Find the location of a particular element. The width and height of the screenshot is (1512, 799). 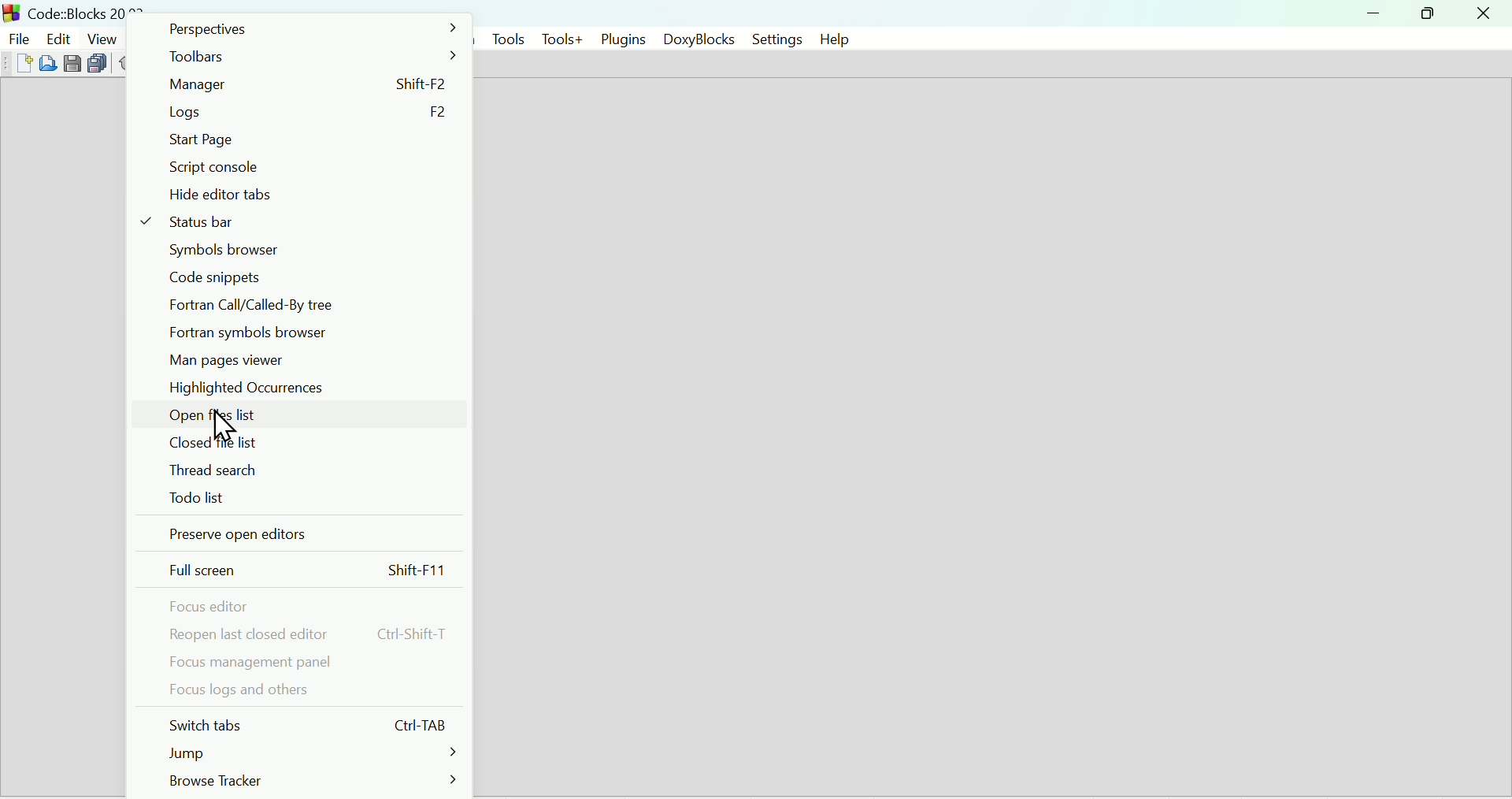

Closed file list is located at coordinates (303, 442).